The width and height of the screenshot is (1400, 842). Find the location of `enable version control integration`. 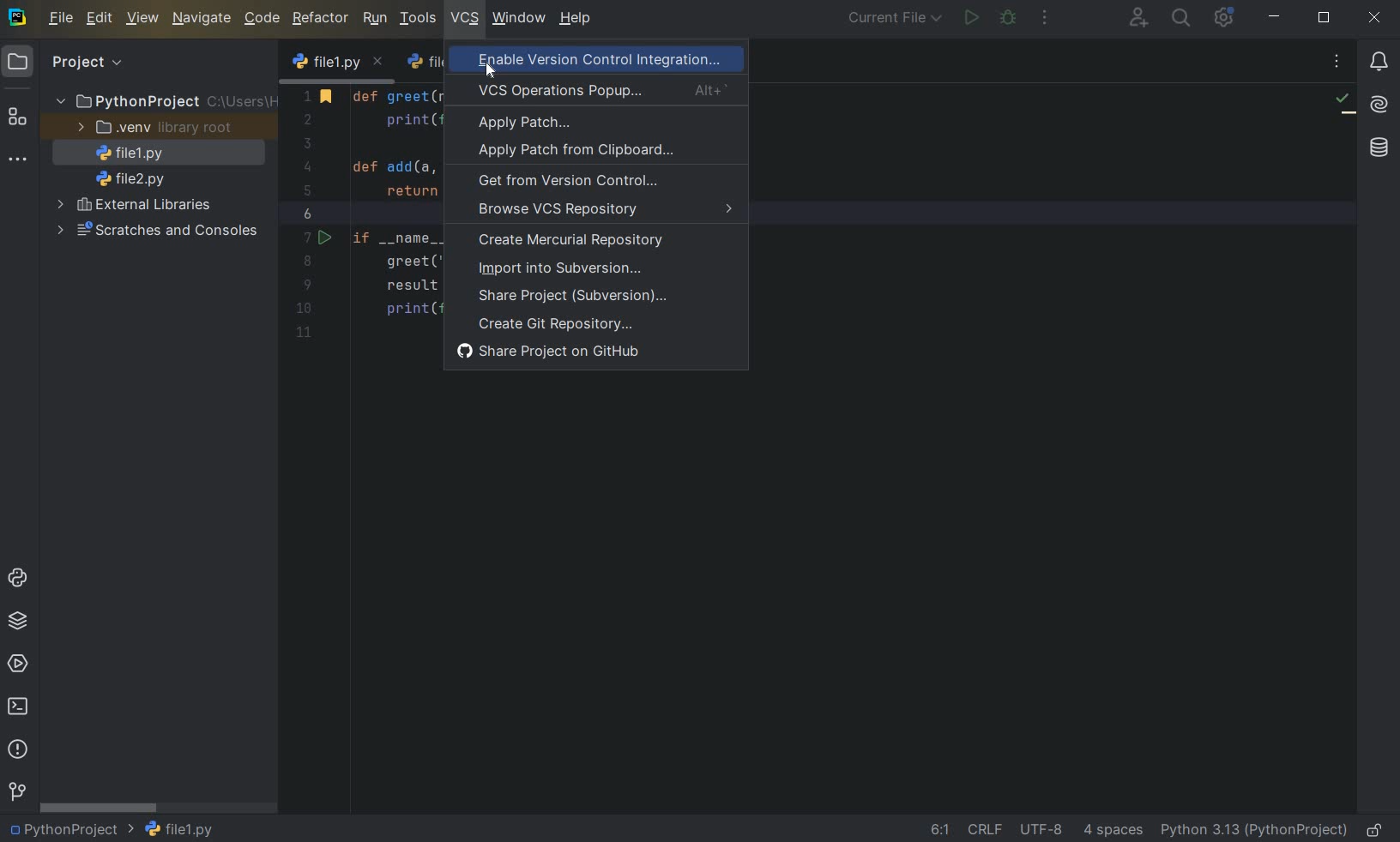

enable version control integration is located at coordinates (597, 59).